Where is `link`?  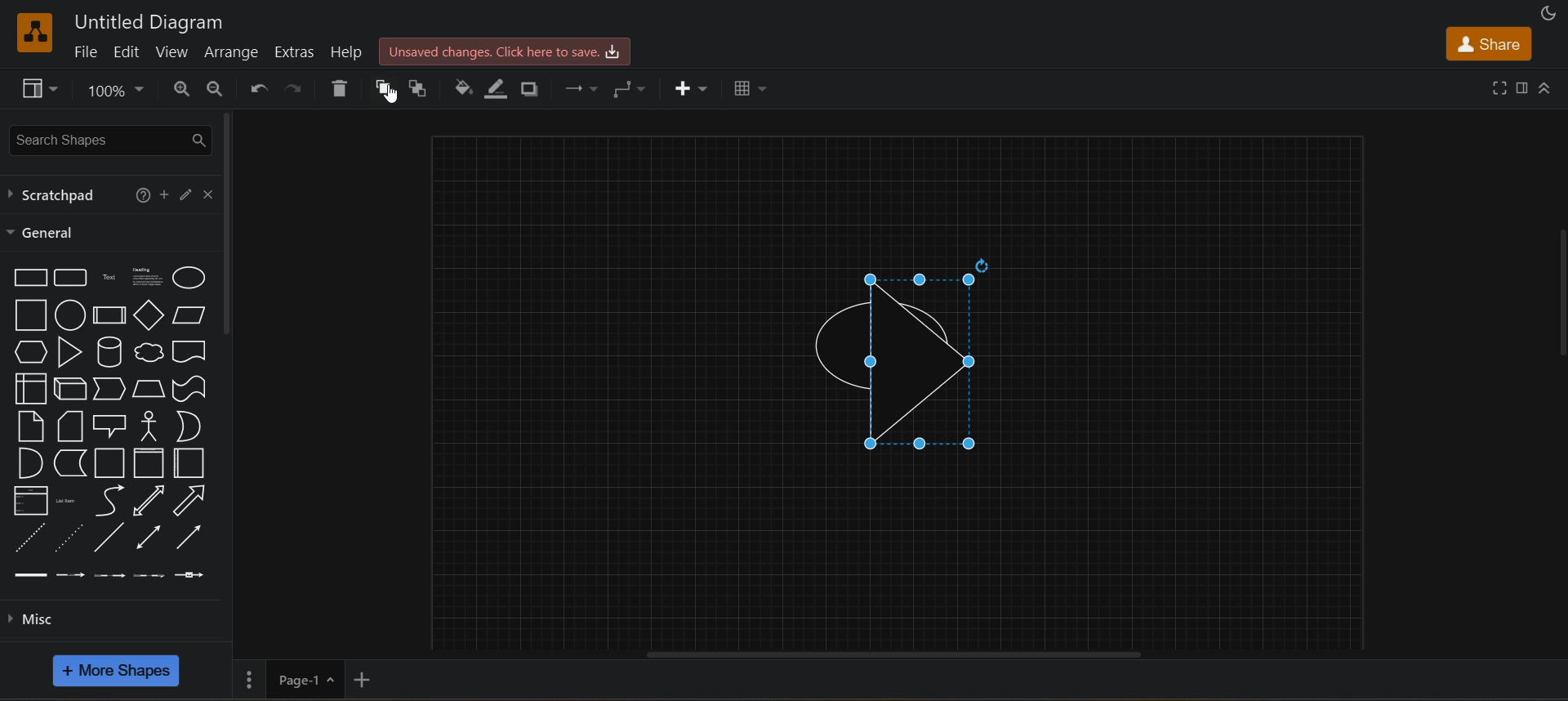 link is located at coordinates (30, 575).